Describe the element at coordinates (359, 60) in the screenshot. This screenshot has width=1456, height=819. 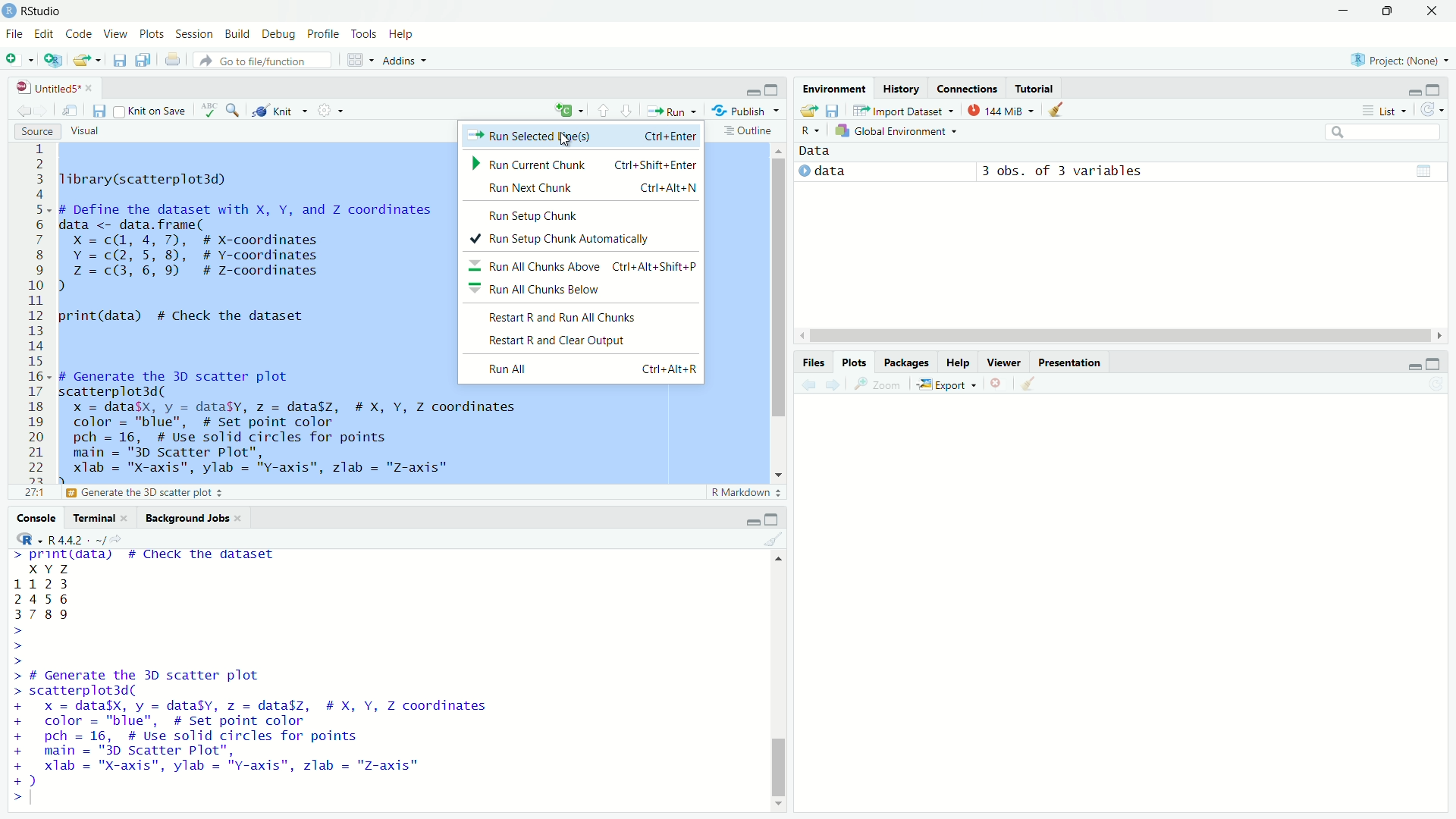
I see `workspace panes` at that location.